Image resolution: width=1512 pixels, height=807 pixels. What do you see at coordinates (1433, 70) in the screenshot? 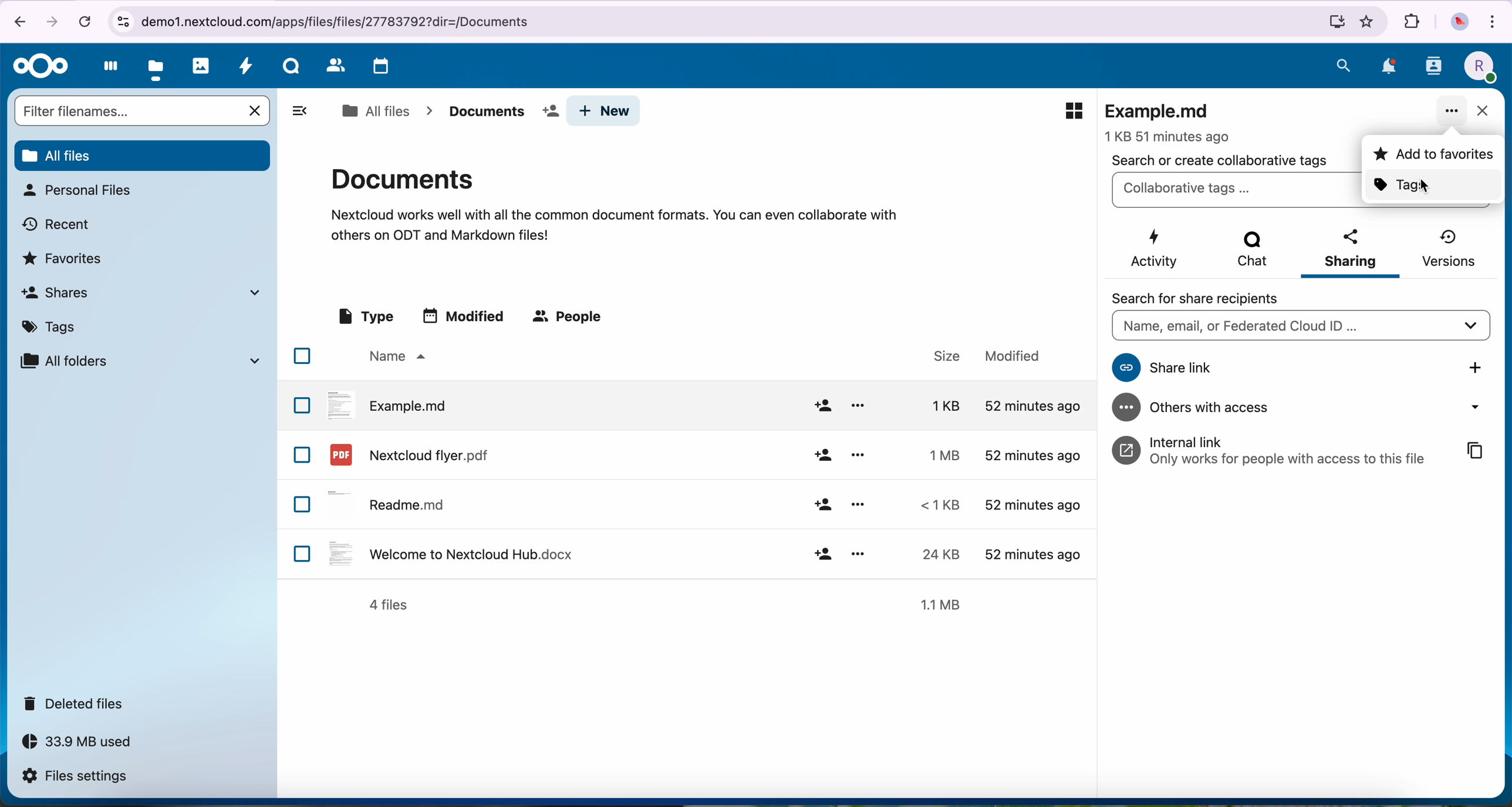
I see `contacts` at bounding box center [1433, 70].